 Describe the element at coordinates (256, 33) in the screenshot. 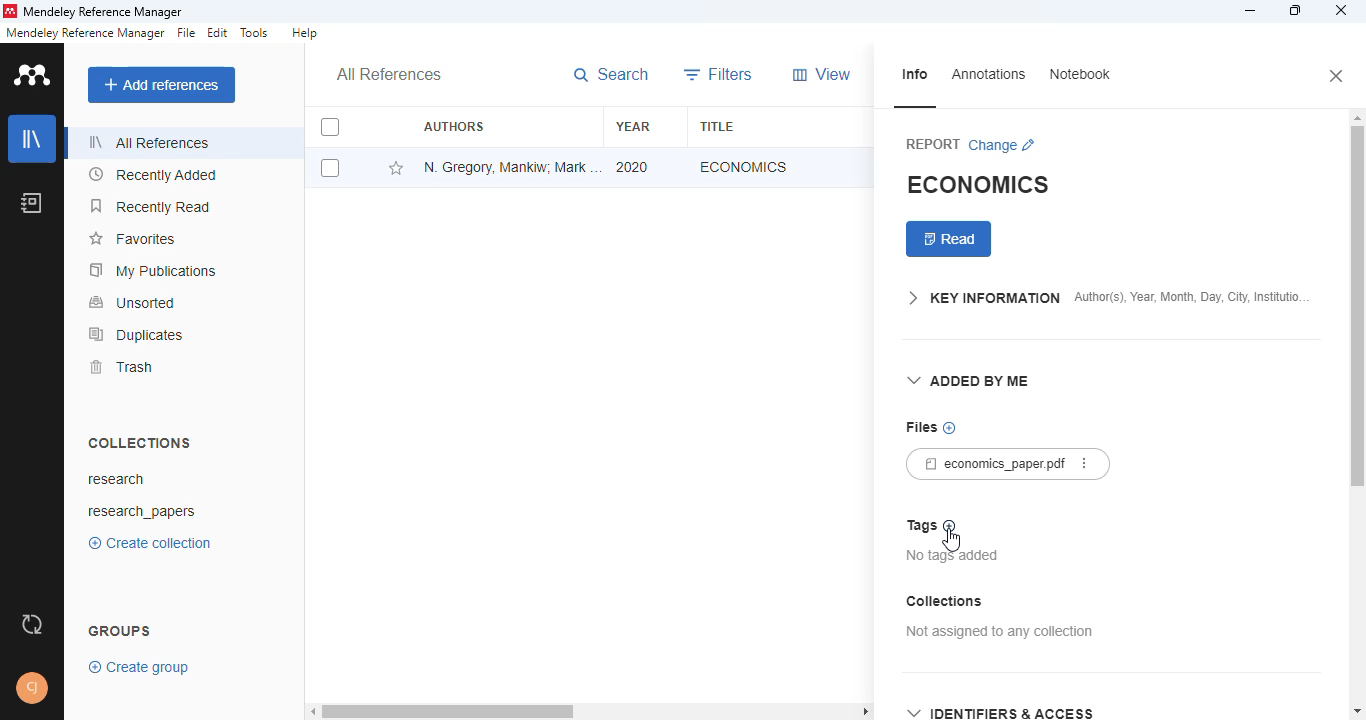

I see `tools` at that location.